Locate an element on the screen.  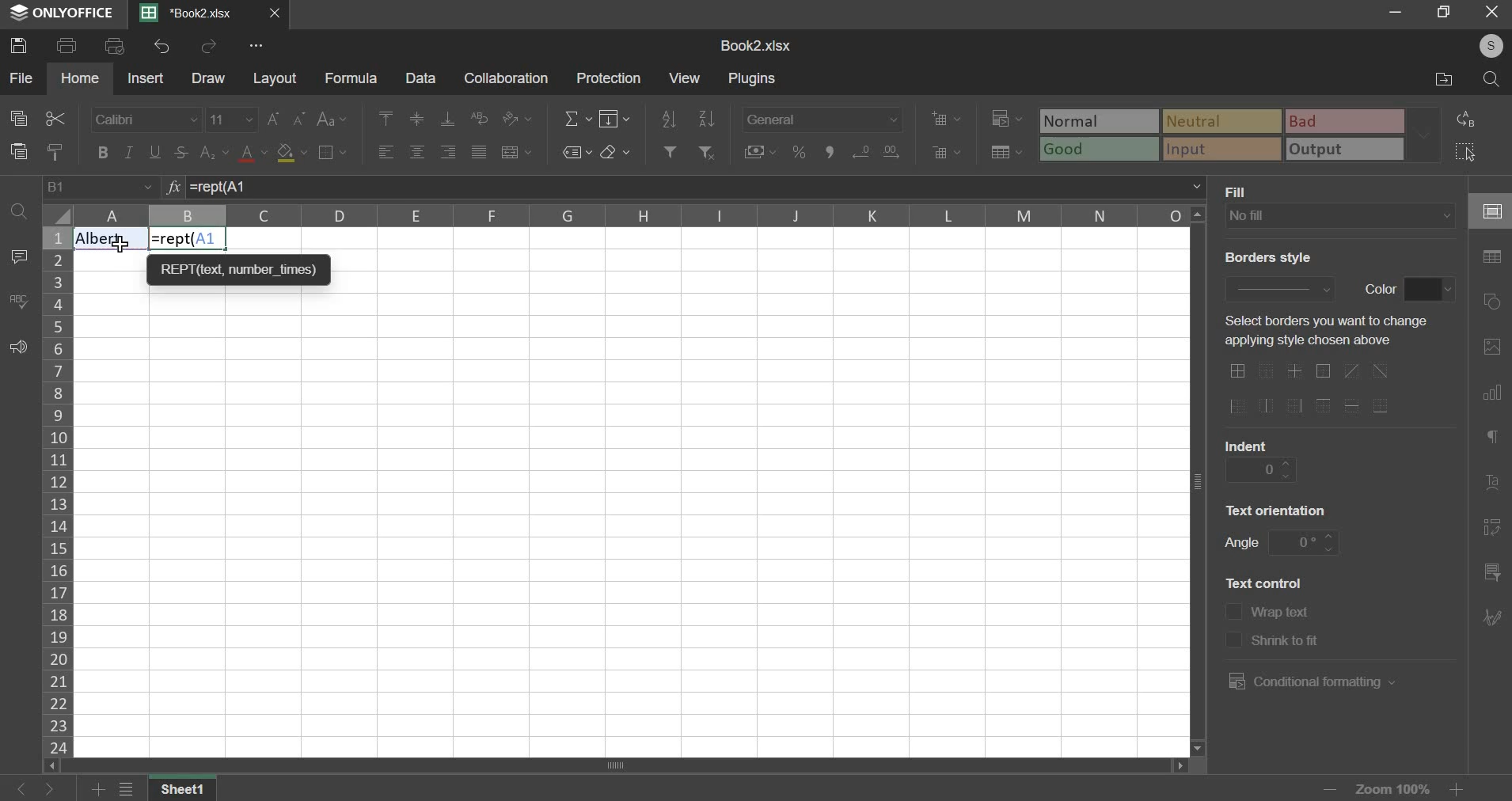
maximise is located at coordinates (1444, 13).